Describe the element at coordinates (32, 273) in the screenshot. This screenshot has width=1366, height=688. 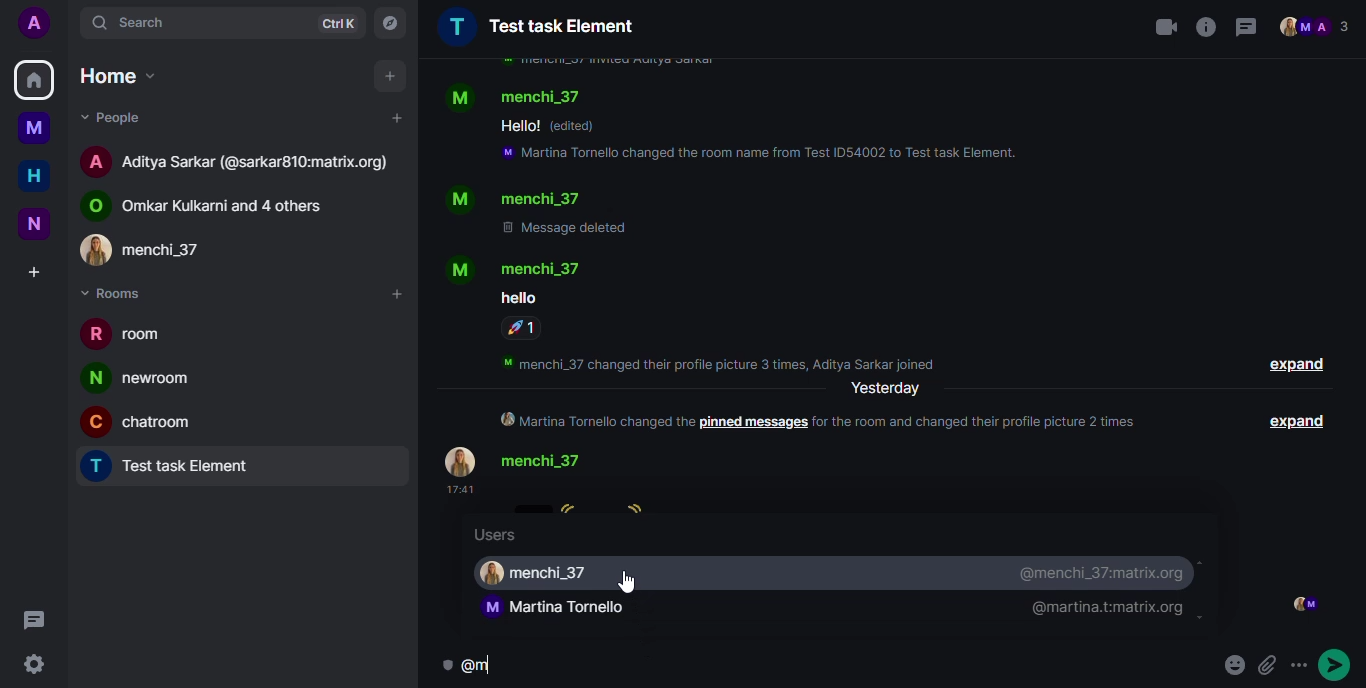
I see `create space` at that location.